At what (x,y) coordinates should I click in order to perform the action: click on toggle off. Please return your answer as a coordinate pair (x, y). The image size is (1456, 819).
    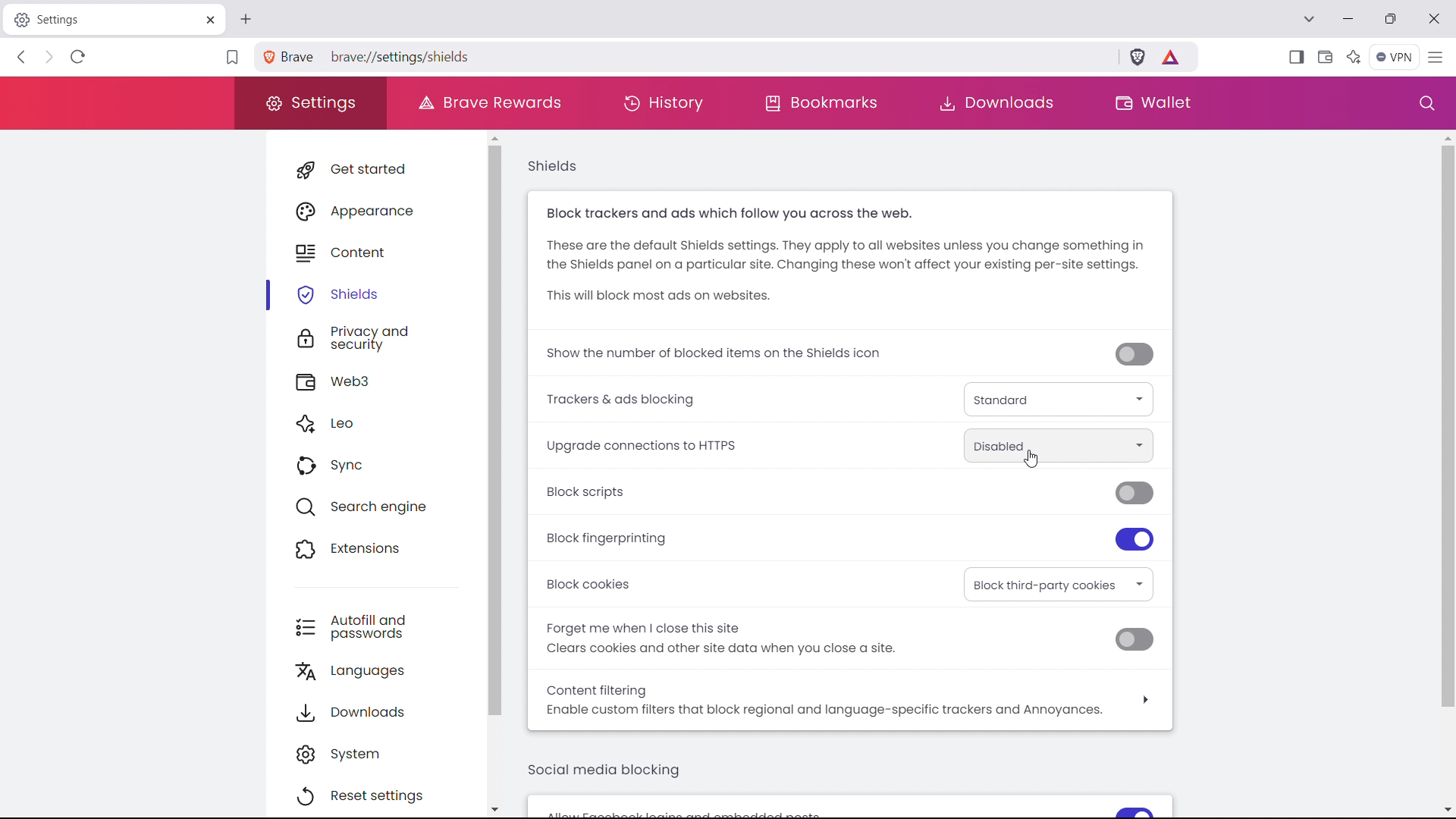
    Looking at the image, I should click on (1134, 640).